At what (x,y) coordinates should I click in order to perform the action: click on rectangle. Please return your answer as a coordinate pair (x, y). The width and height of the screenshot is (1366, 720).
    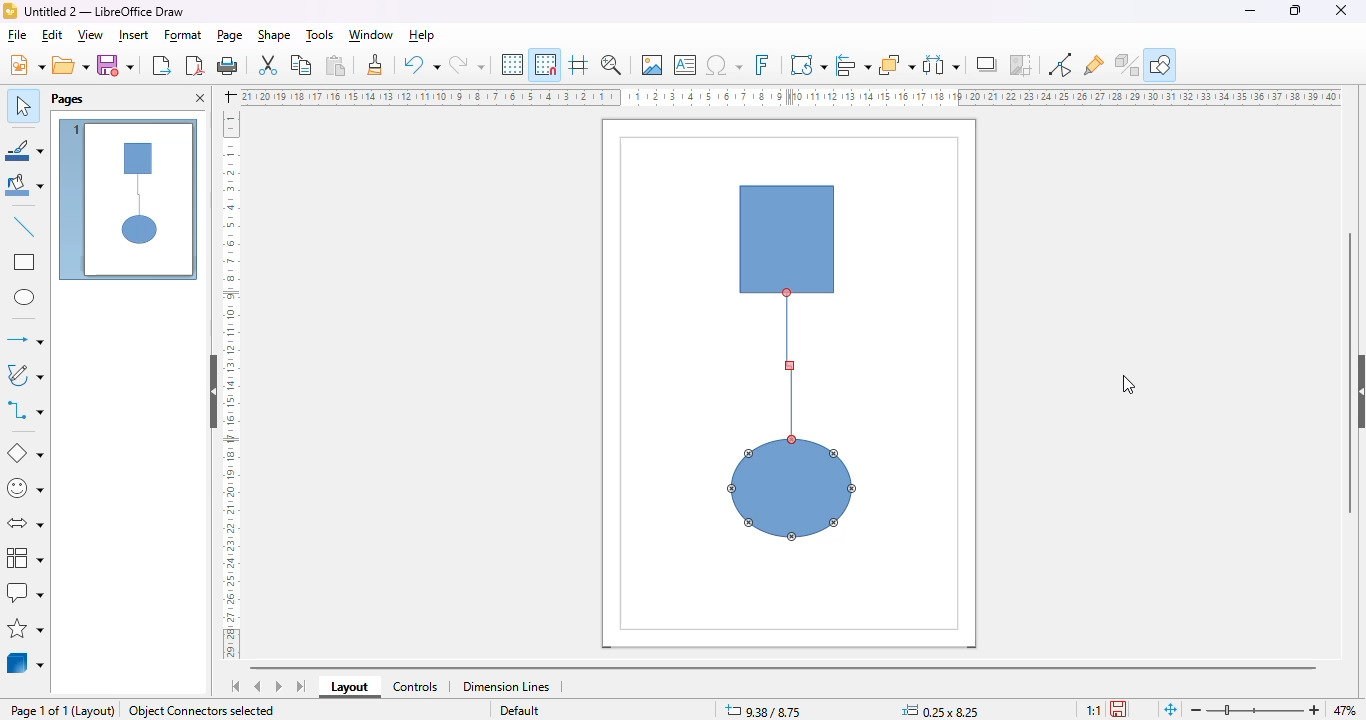
    Looking at the image, I should click on (25, 262).